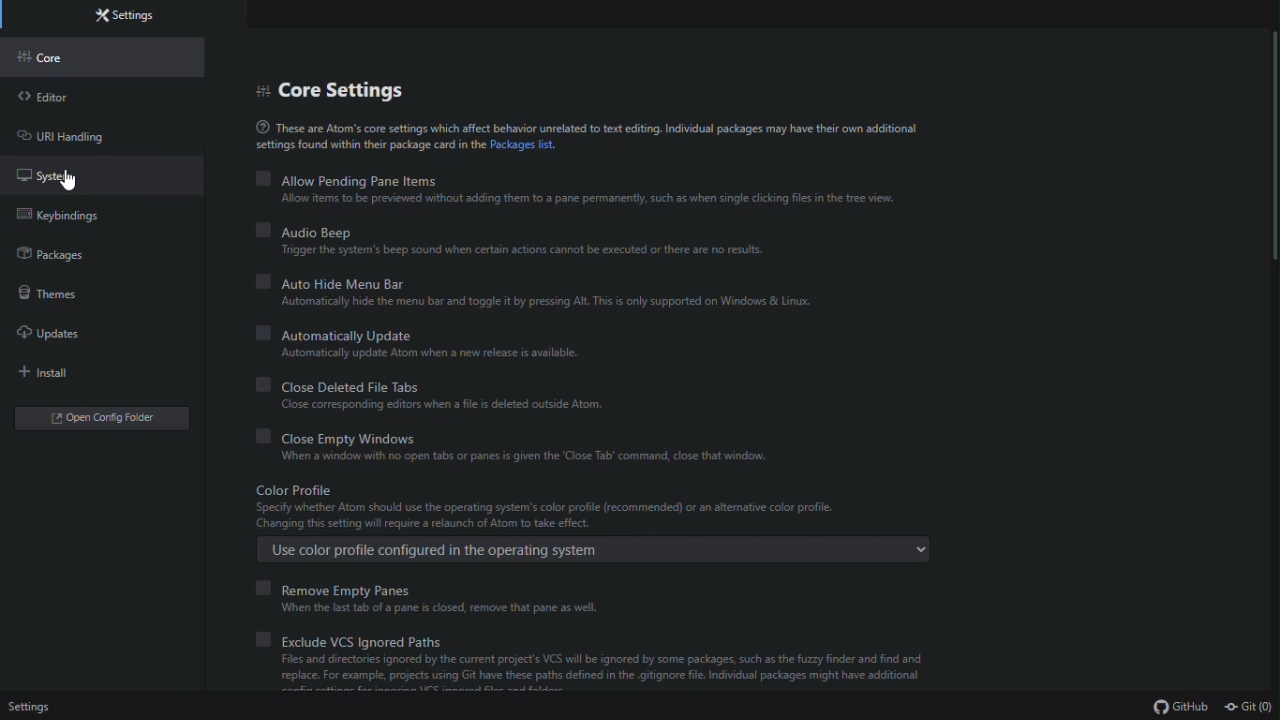  Describe the element at coordinates (78, 136) in the screenshot. I see `URL handling` at that location.